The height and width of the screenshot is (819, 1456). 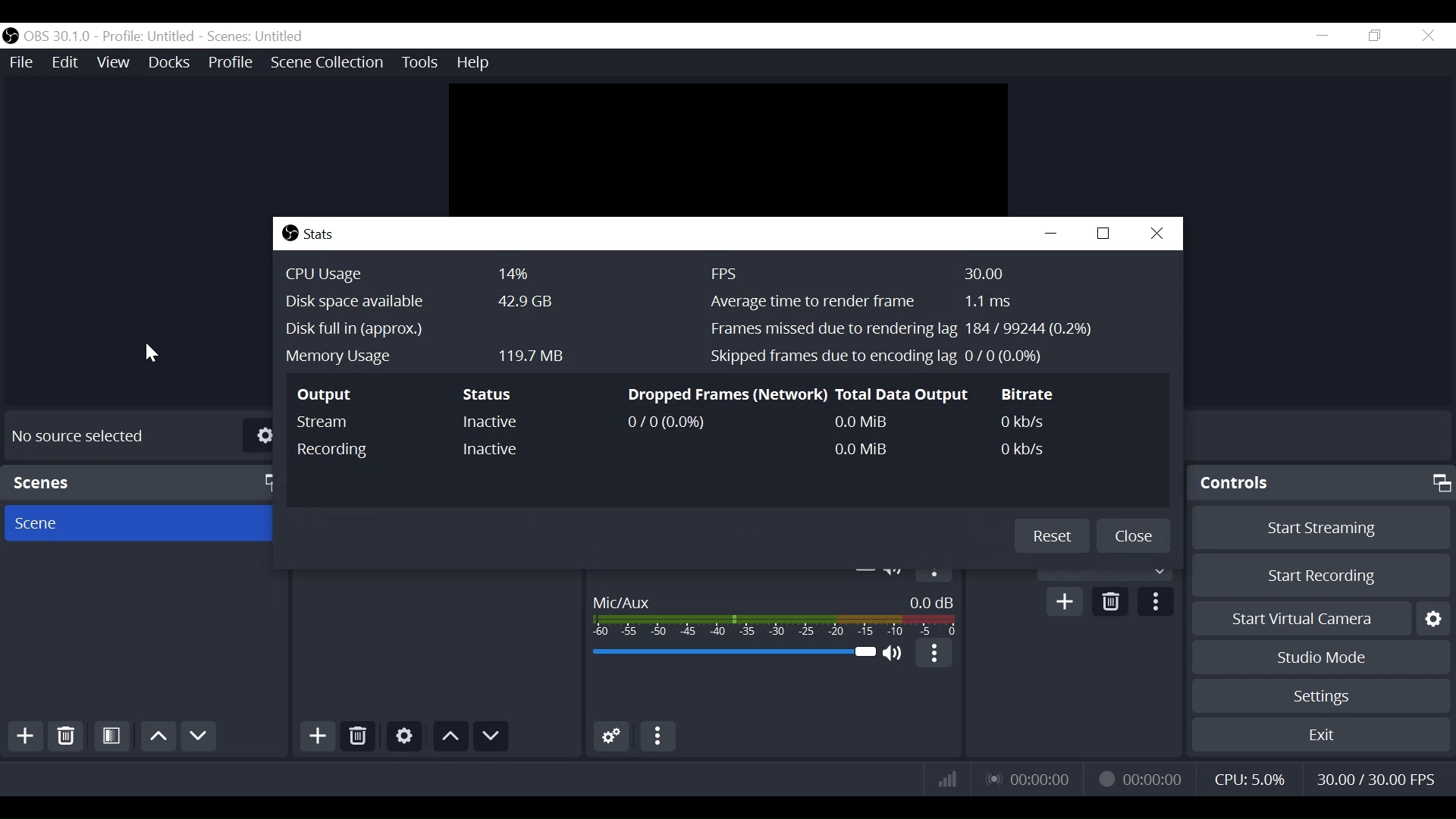 I want to click on Close, so click(x=1427, y=35).